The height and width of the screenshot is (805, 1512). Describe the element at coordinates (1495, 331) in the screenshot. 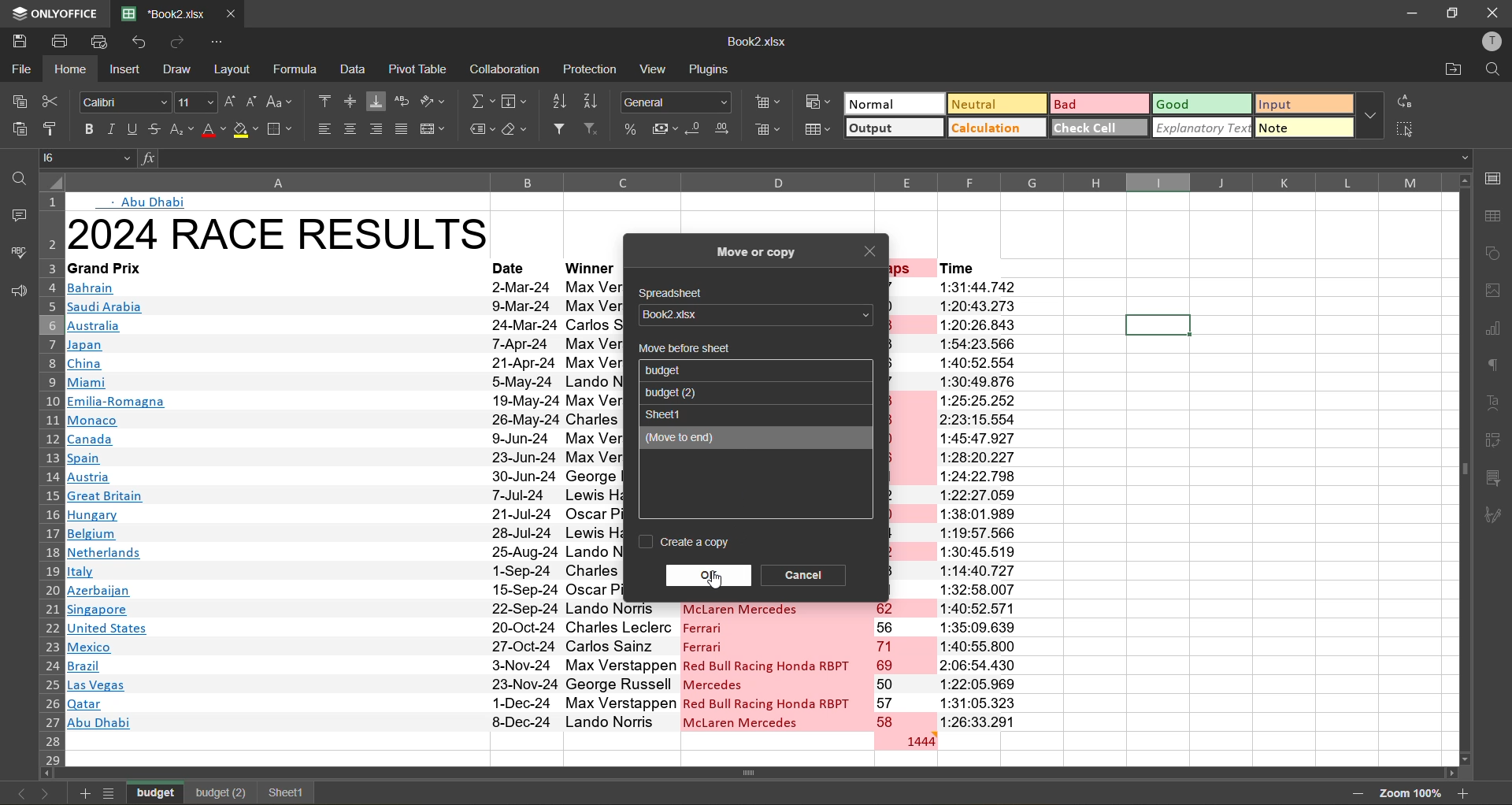

I see `charts` at that location.